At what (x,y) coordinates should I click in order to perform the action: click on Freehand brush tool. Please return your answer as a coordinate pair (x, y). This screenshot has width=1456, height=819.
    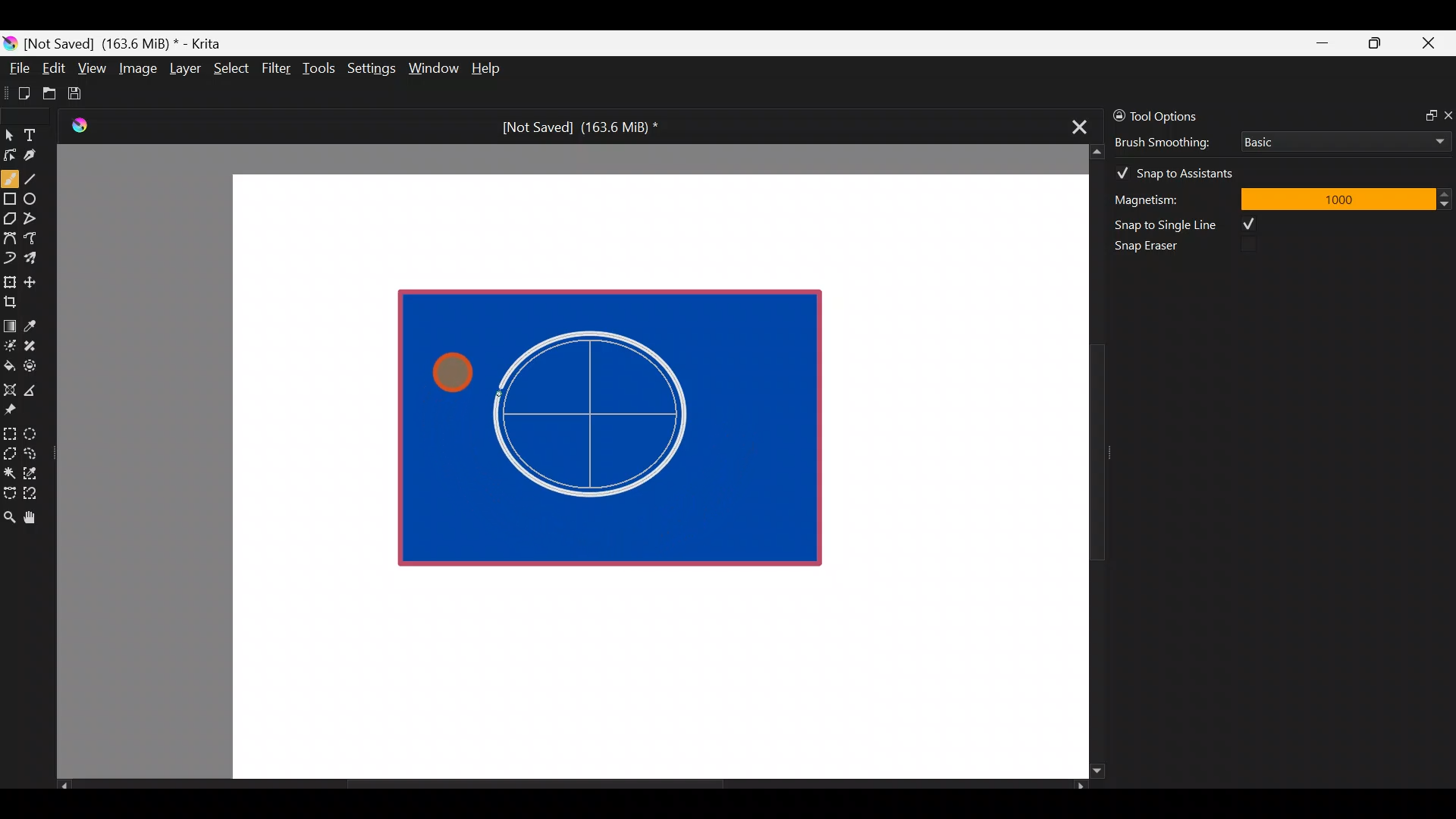
    Looking at the image, I should click on (11, 176).